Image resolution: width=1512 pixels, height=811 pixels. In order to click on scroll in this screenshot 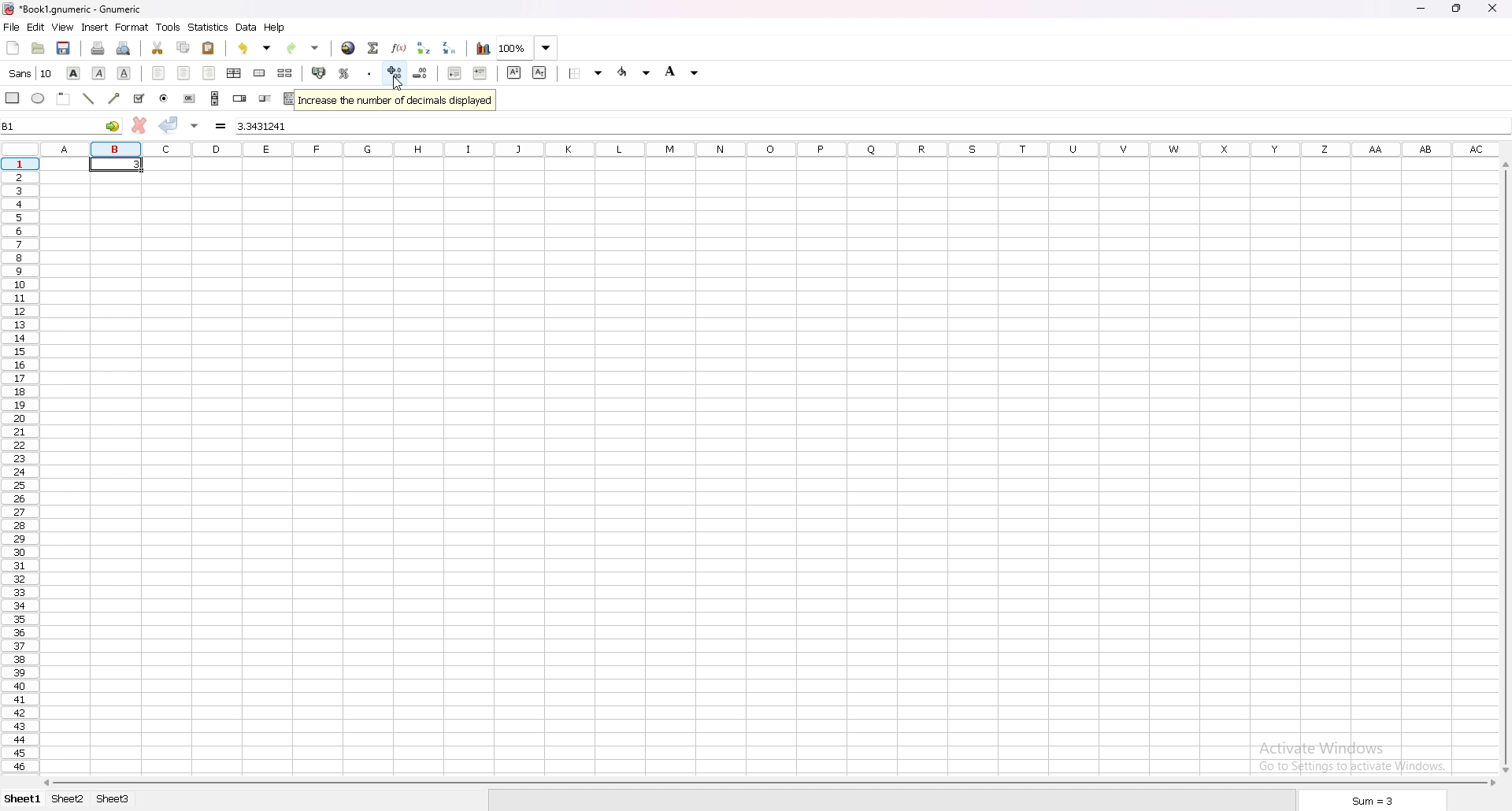, I will do `click(215, 98)`.